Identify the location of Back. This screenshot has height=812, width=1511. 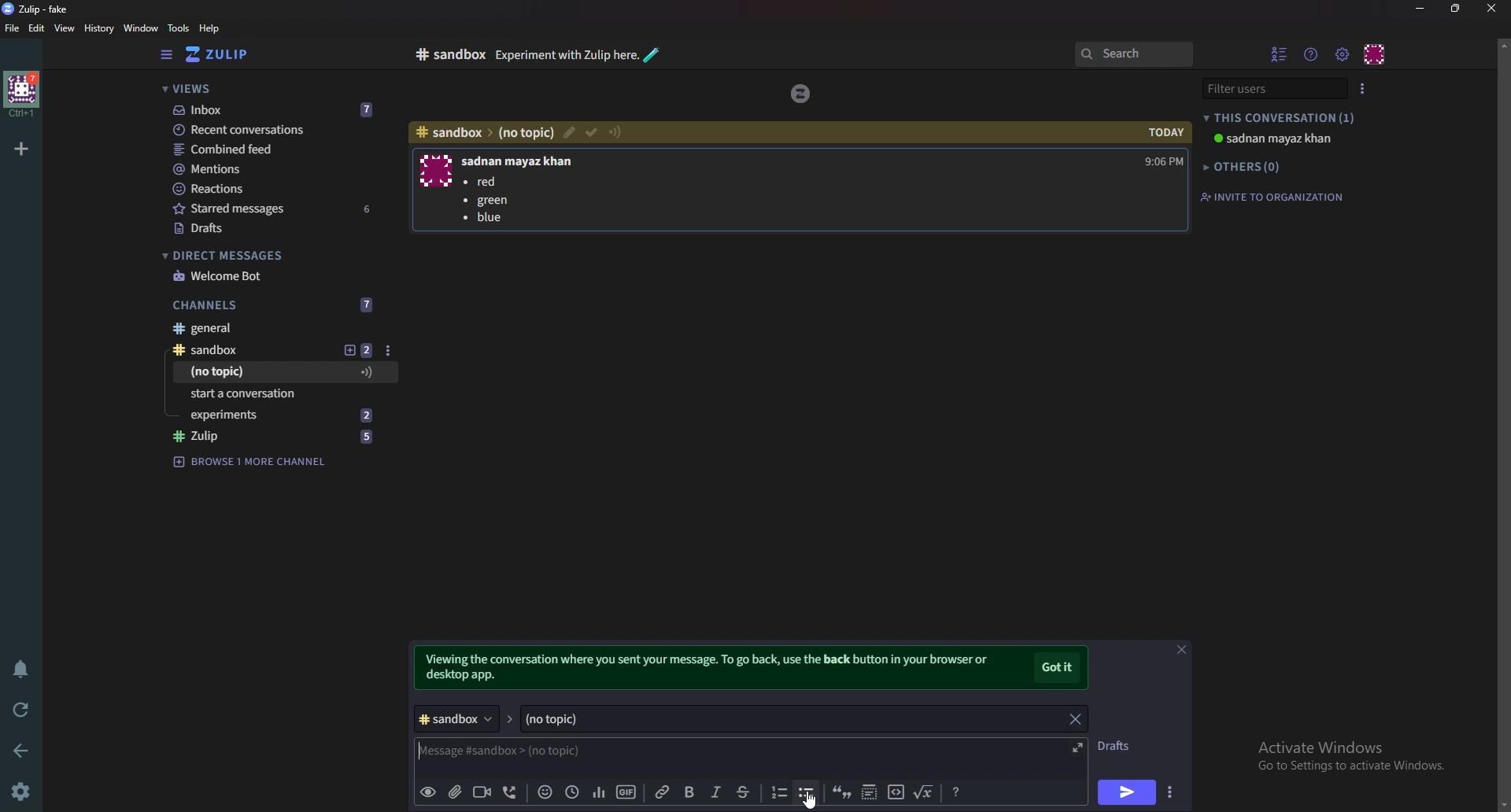
(24, 749).